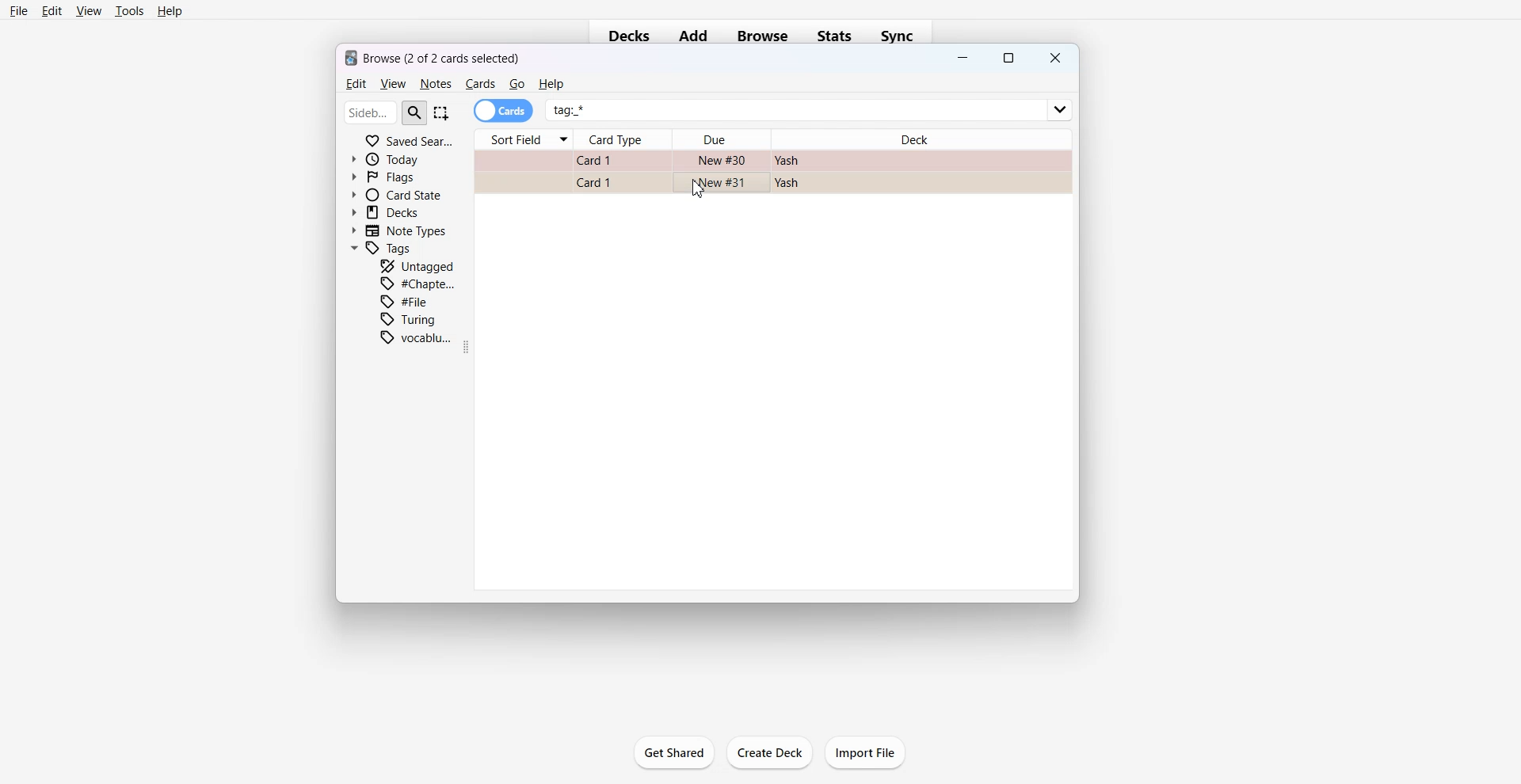 The height and width of the screenshot is (784, 1521). What do you see at coordinates (673, 752) in the screenshot?
I see `Get Shared` at bounding box center [673, 752].